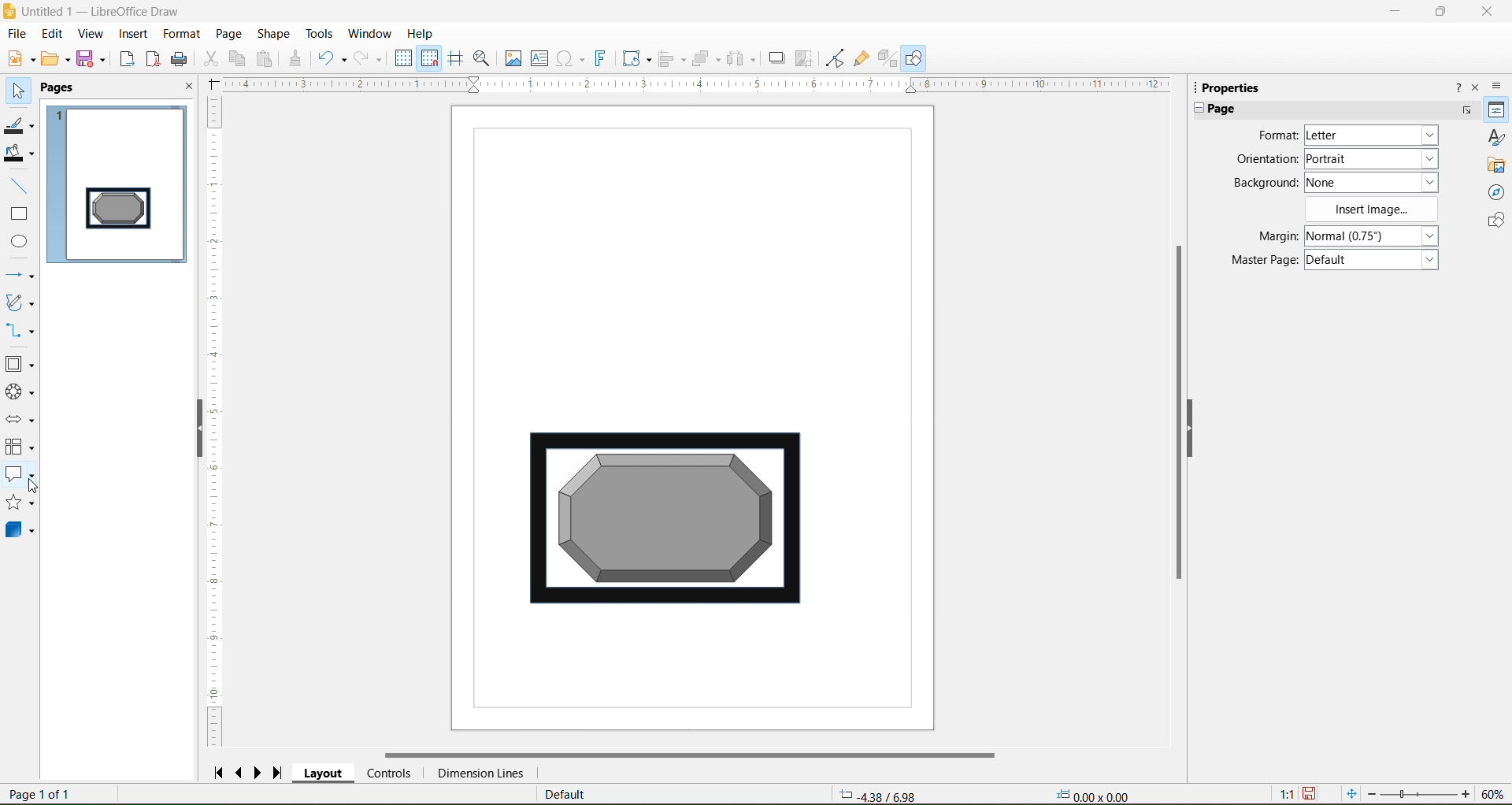 The width and height of the screenshot is (1512, 805). What do you see at coordinates (1373, 210) in the screenshot?
I see `Insert Image` at bounding box center [1373, 210].